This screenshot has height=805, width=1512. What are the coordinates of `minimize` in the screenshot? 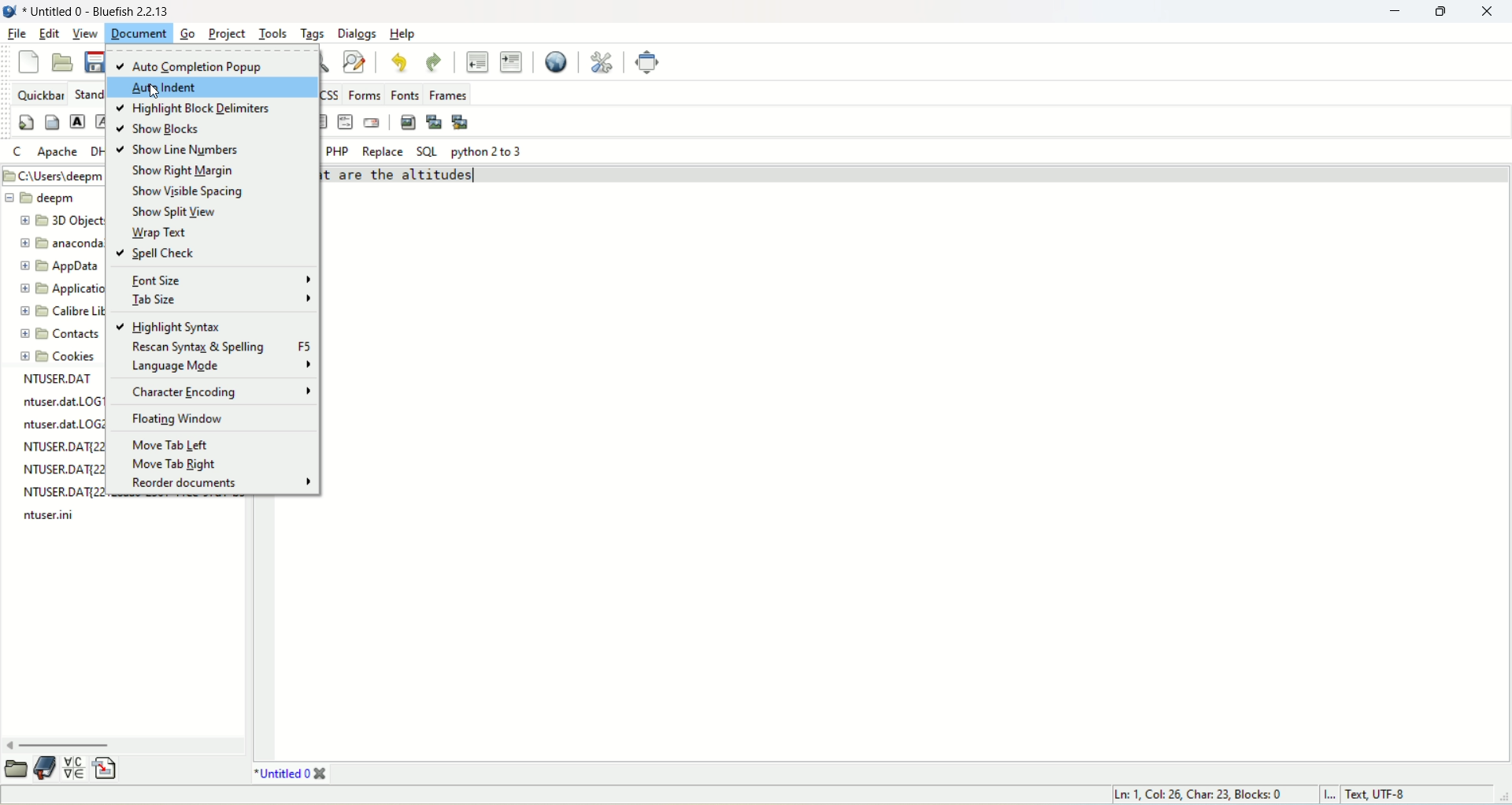 It's located at (1392, 12).